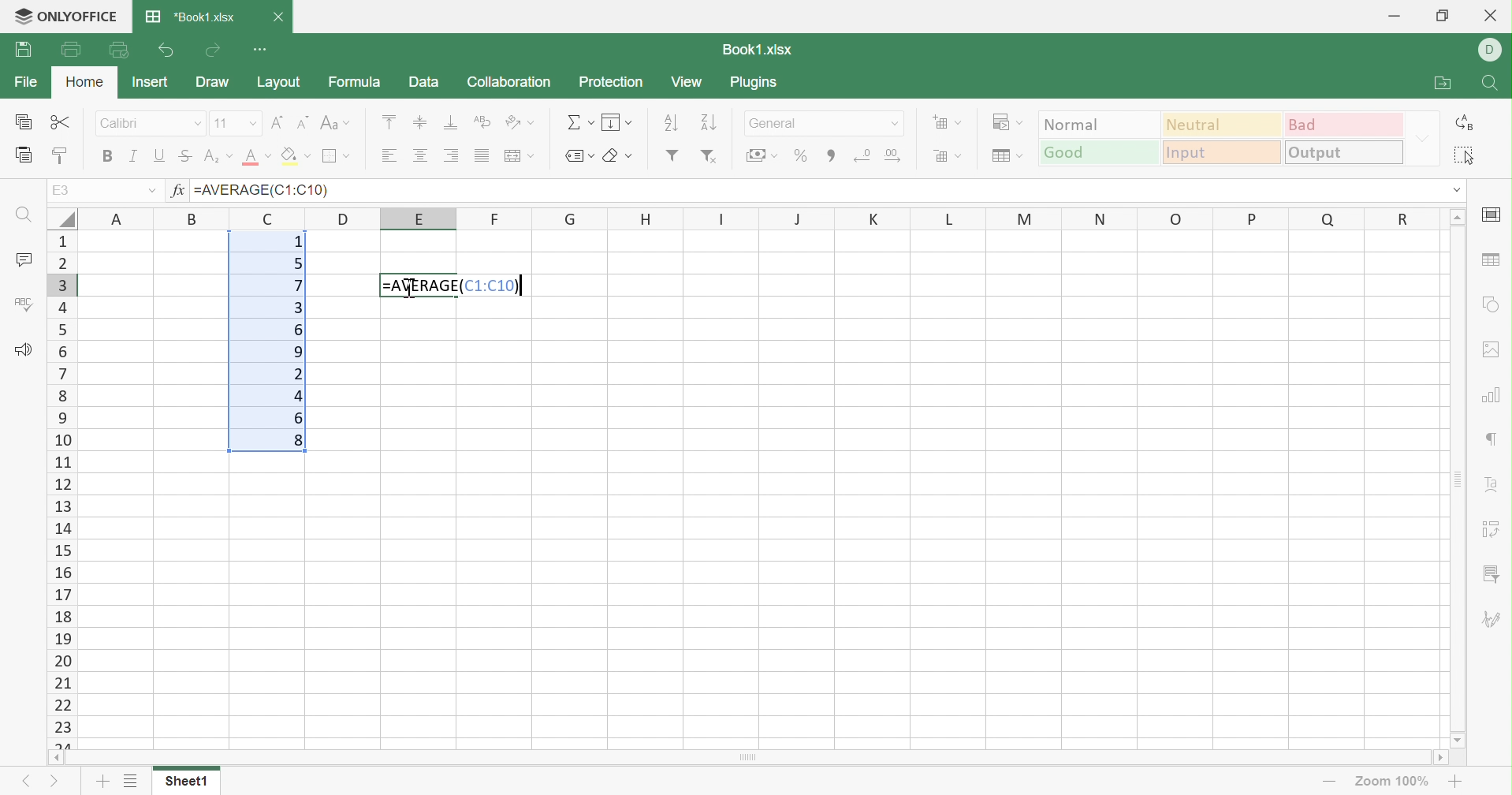  Describe the element at coordinates (1494, 215) in the screenshot. I see `cell settings` at that location.